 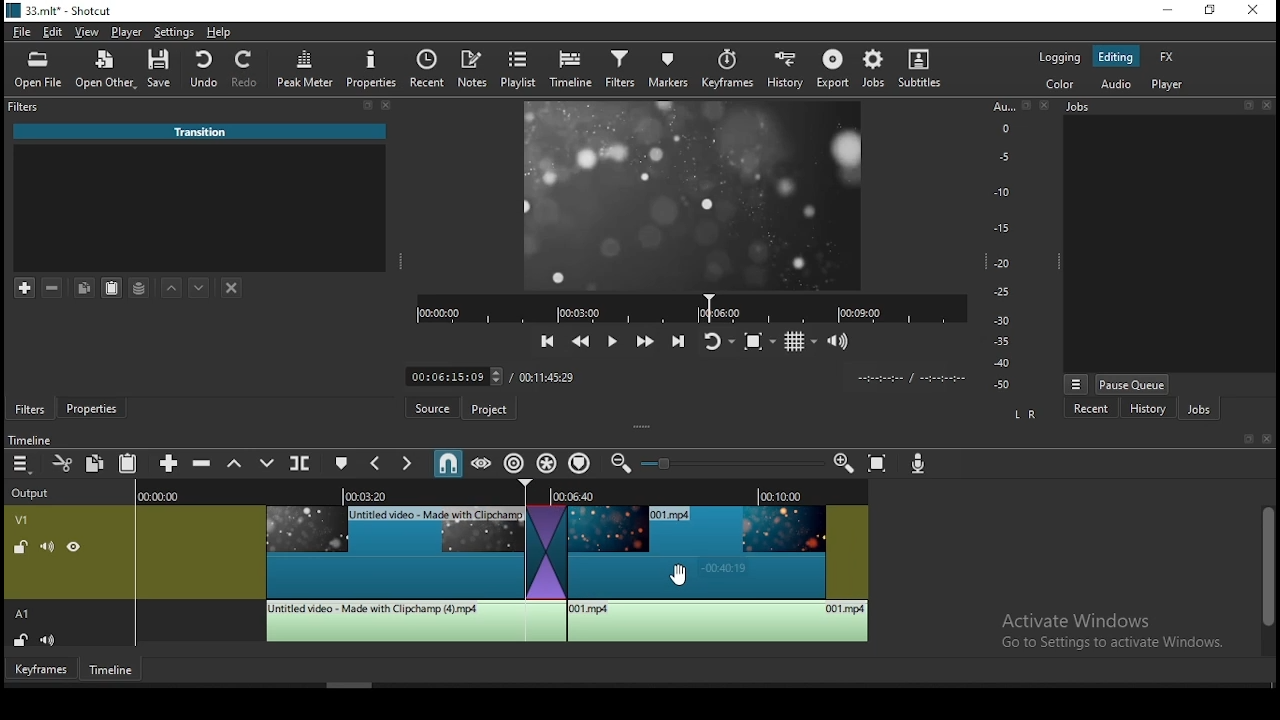 I want to click on video preview, so click(x=695, y=193).